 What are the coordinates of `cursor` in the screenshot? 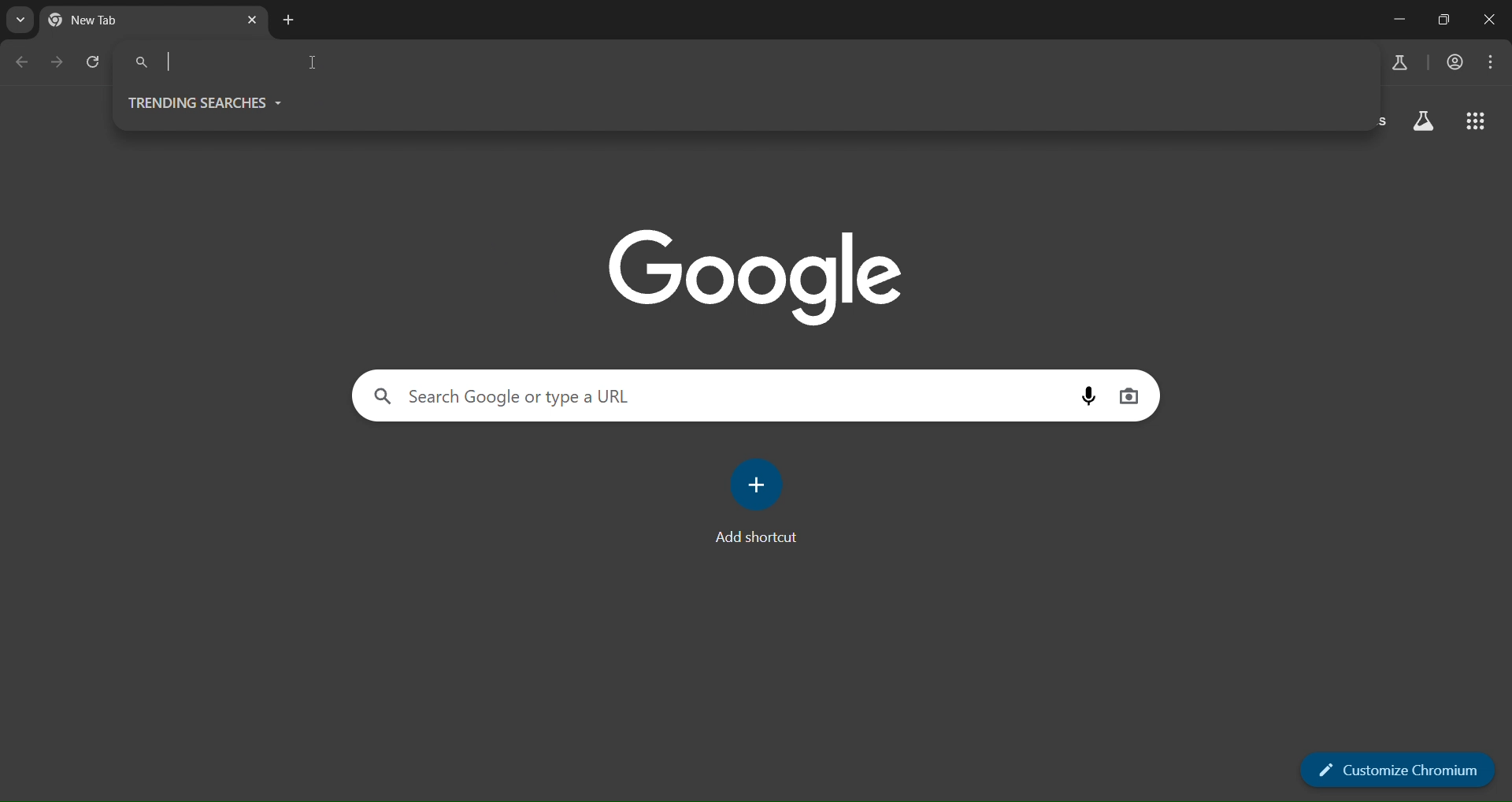 It's located at (317, 65).